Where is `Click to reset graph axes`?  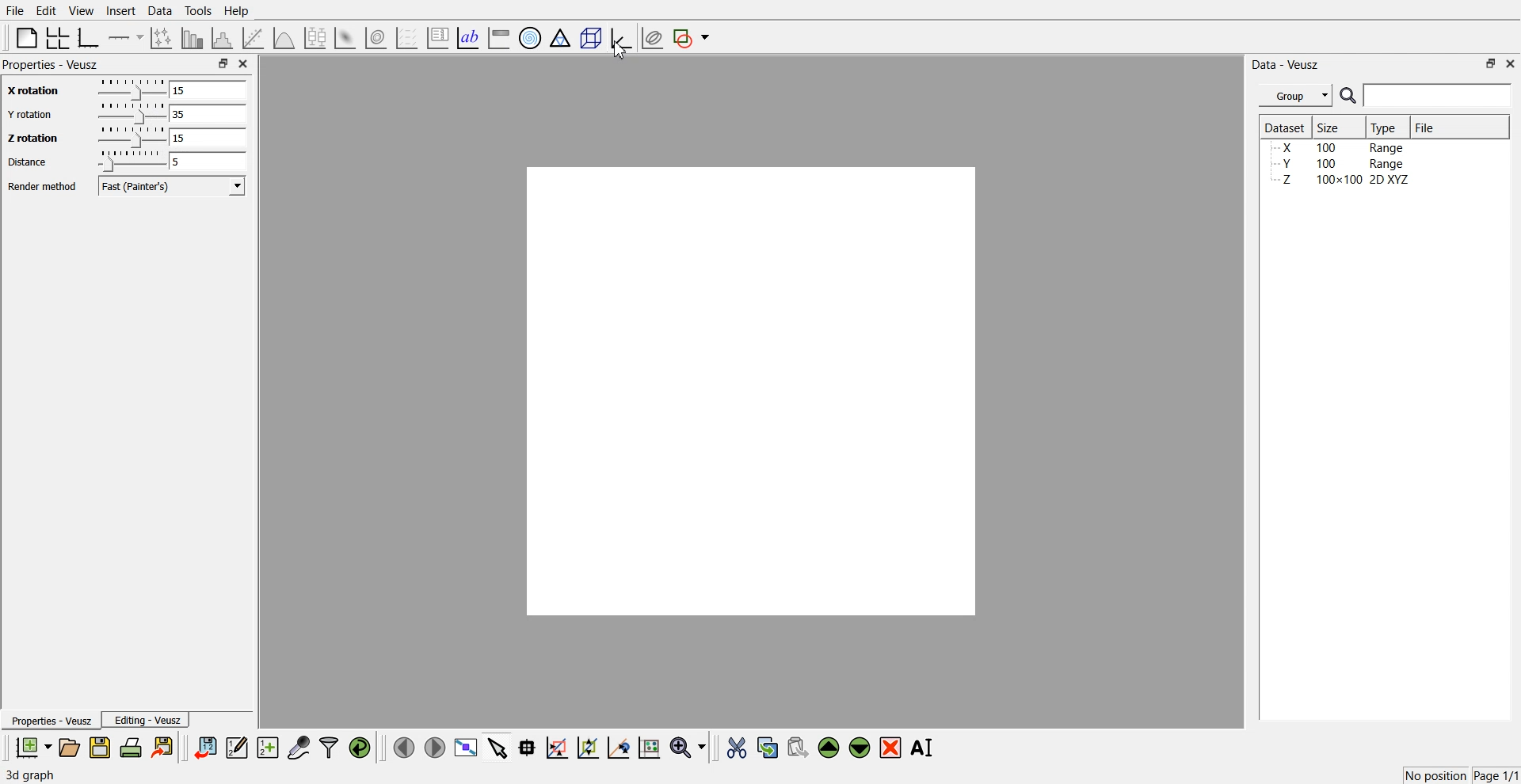 Click to reset graph axes is located at coordinates (649, 746).